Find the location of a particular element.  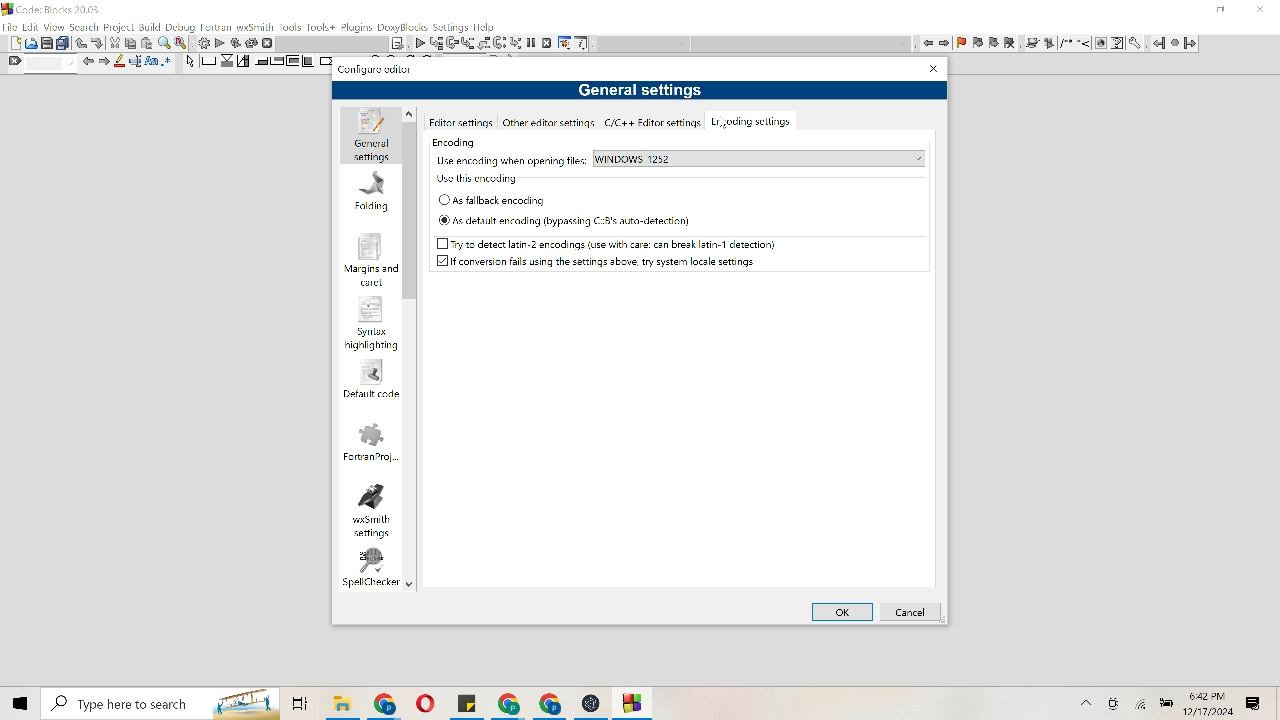

Go Forward is located at coordinates (1190, 43).